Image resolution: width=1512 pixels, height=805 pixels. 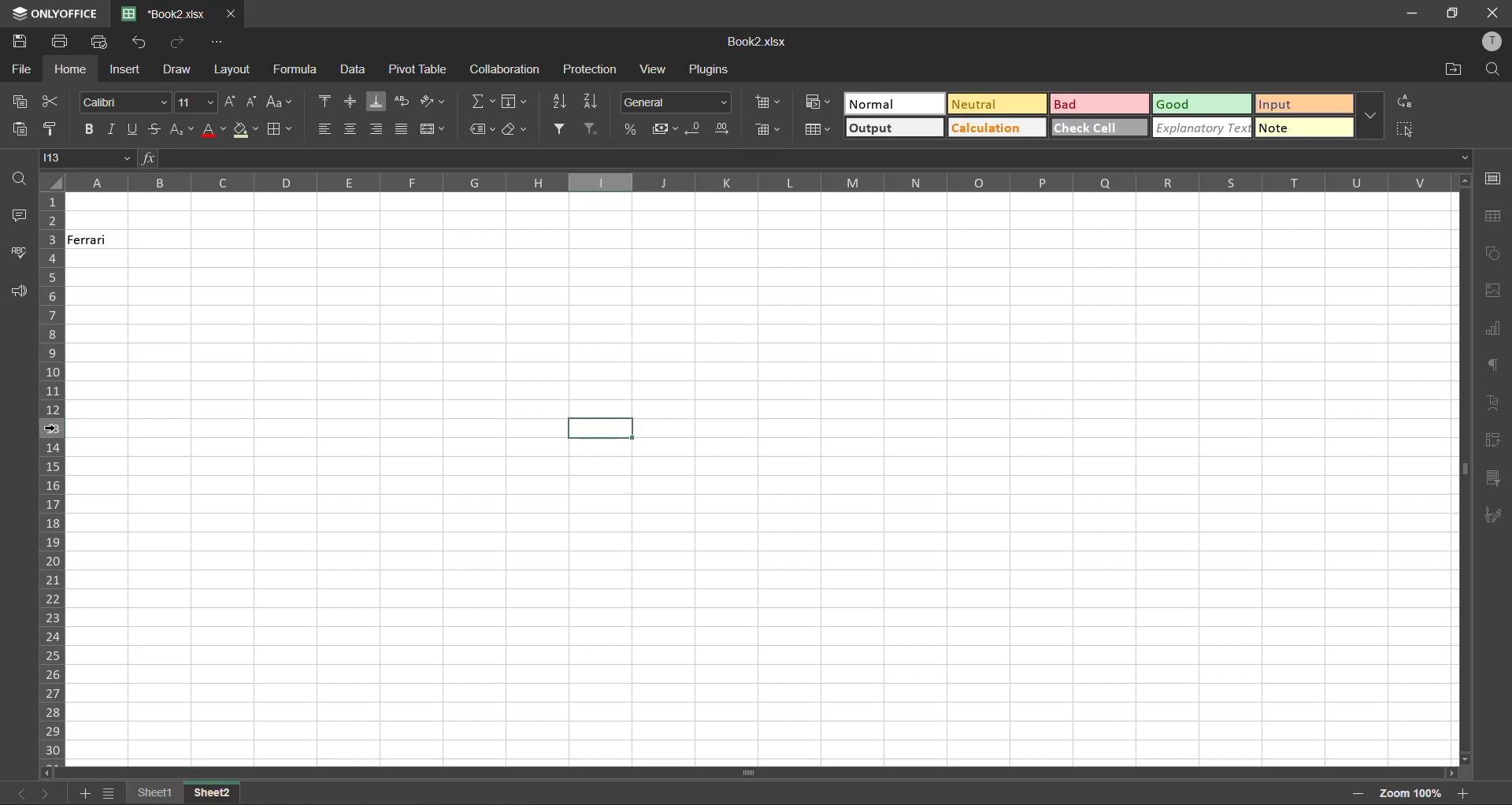 What do you see at coordinates (1455, 13) in the screenshot?
I see `maximize` at bounding box center [1455, 13].